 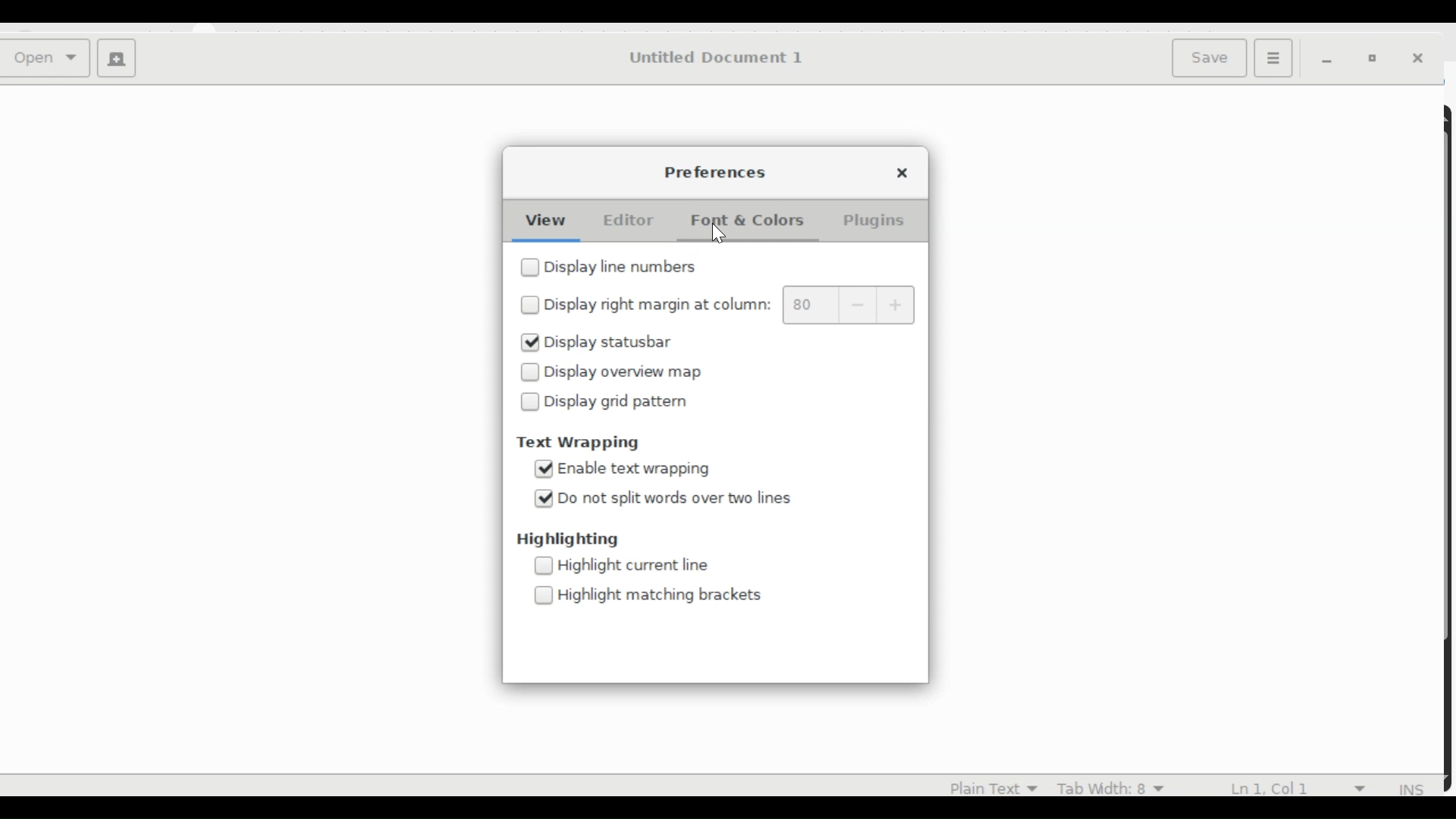 I want to click on checked checkbox, so click(x=541, y=469).